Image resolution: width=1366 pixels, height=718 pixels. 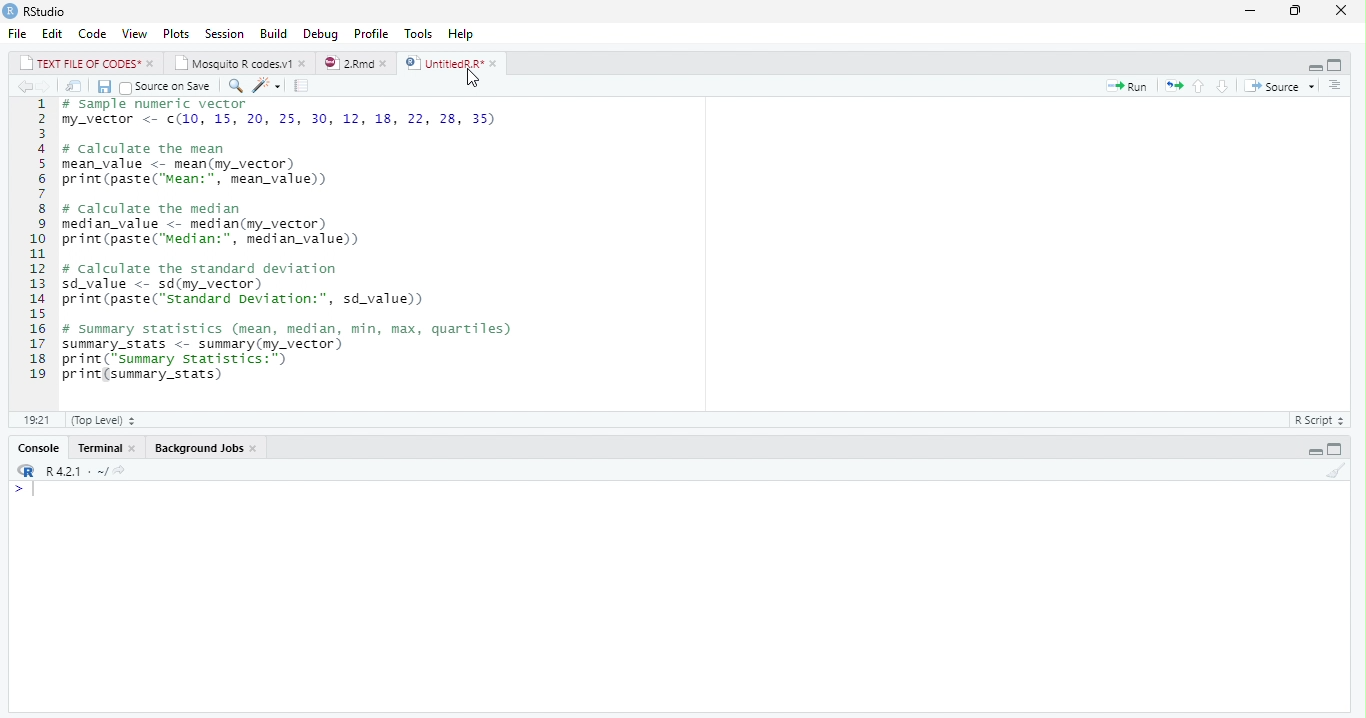 I want to click on back, so click(x=24, y=87).